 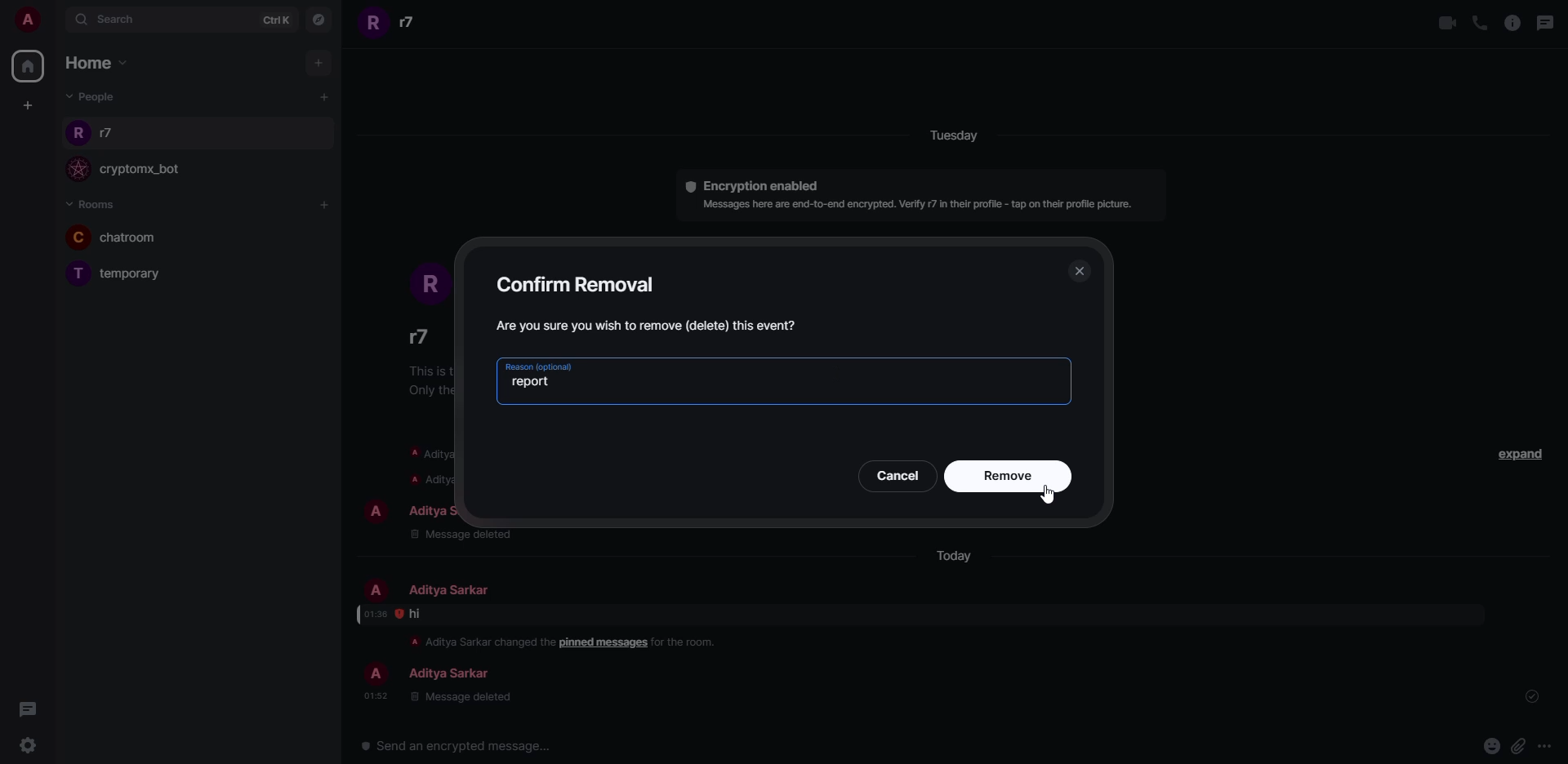 I want to click on profile, so click(x=78, y=135).